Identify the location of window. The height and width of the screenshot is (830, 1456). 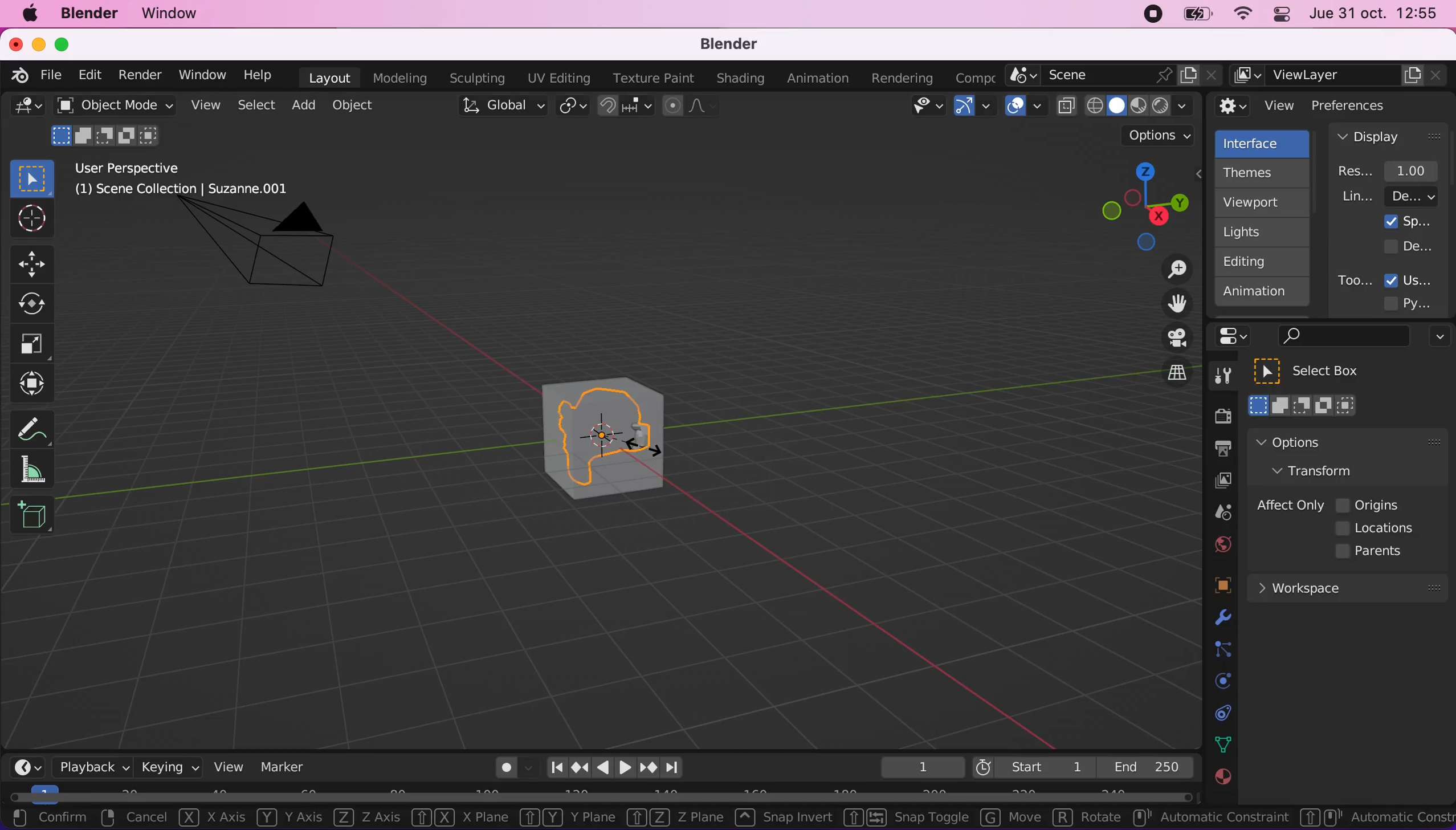
(175, 14).